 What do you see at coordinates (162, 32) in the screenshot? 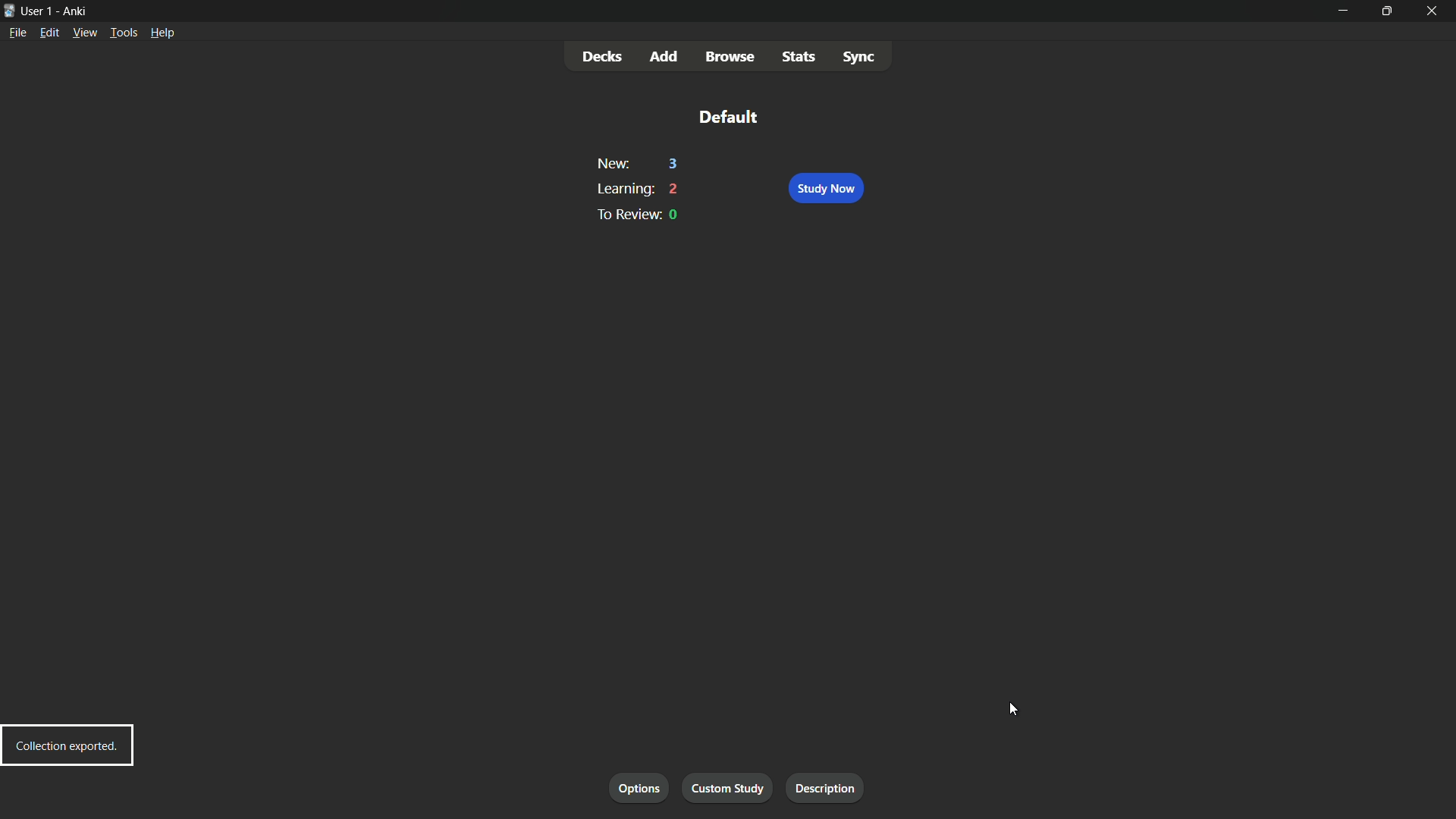
I see `help menu` at bounding box center [162, 32].